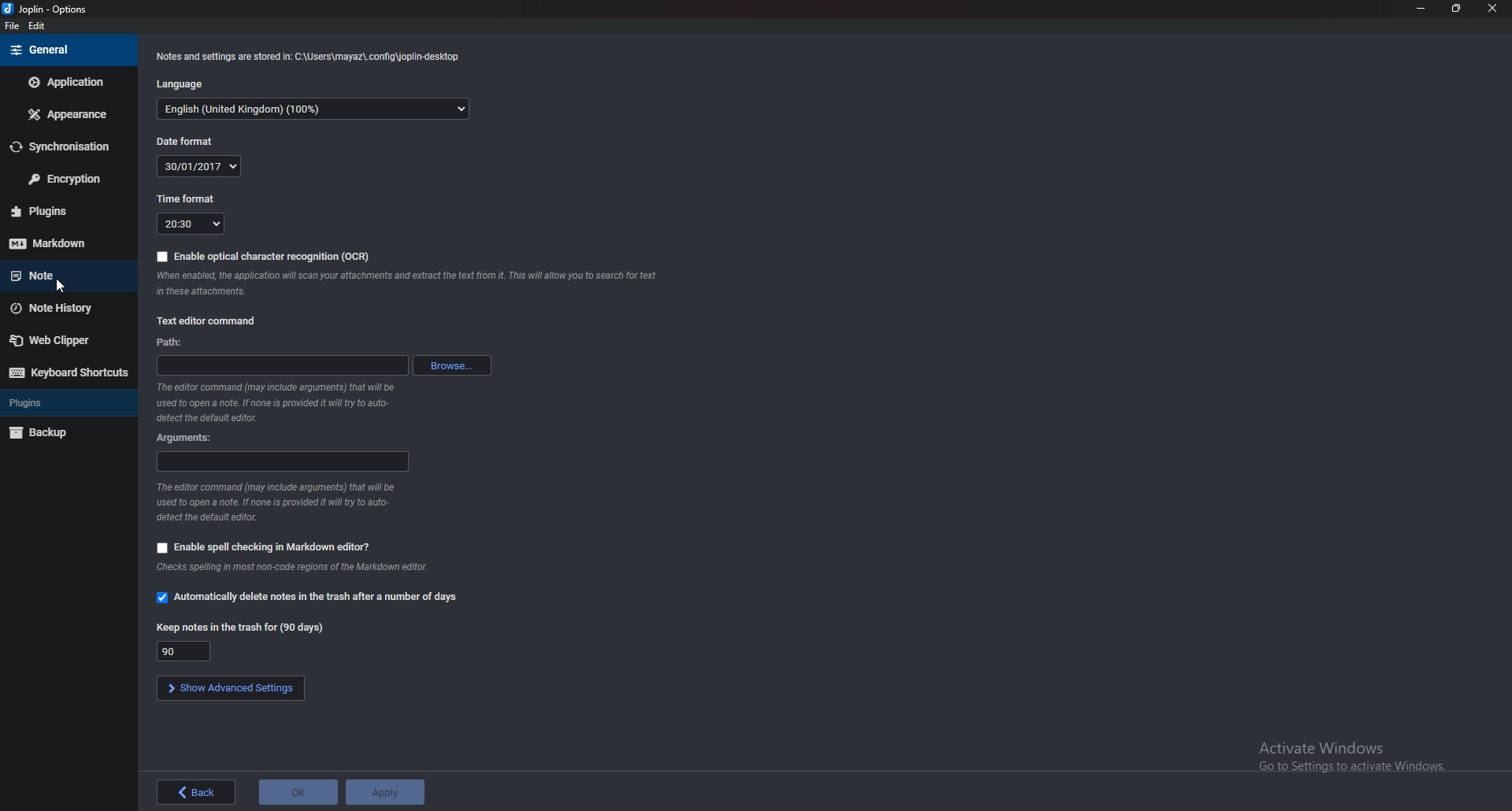  Describe the element at coordinates (40, 28) in the screenshot. I see `edit` at that location.